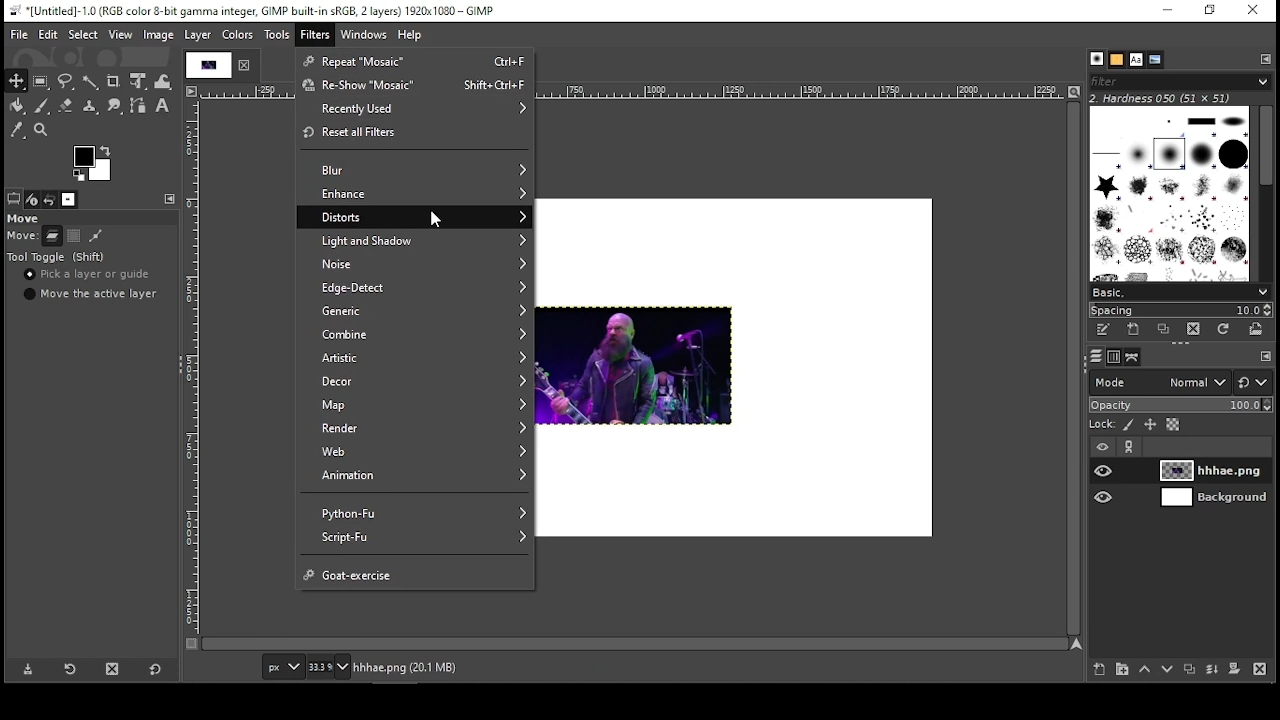  What do you see at coordinates (67, 105) in the screenshot?
I see `eraser tool` at bounding box center [67, 105].